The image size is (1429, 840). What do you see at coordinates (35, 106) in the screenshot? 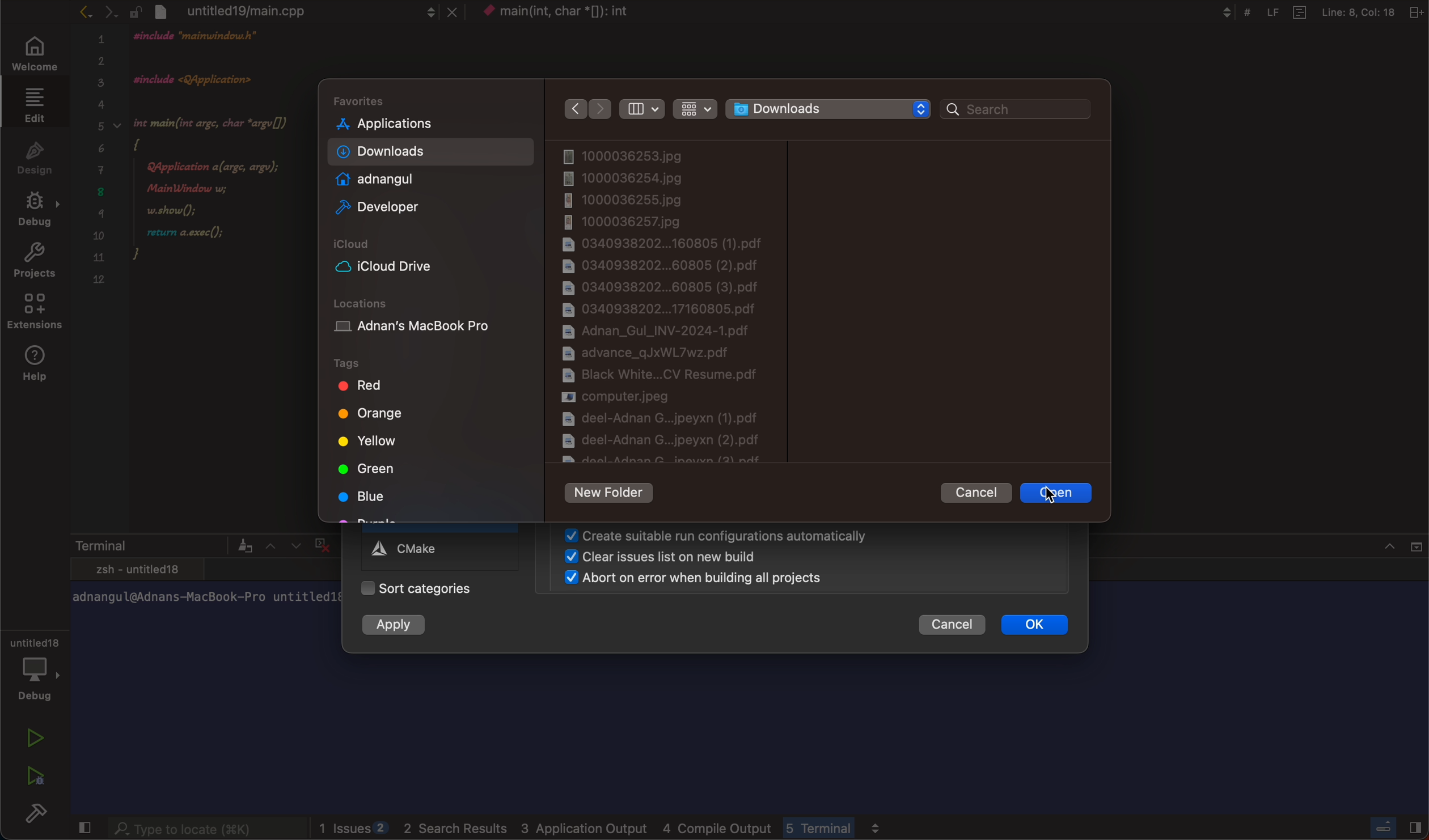
I see `edit` at bounding box center [35, 106].